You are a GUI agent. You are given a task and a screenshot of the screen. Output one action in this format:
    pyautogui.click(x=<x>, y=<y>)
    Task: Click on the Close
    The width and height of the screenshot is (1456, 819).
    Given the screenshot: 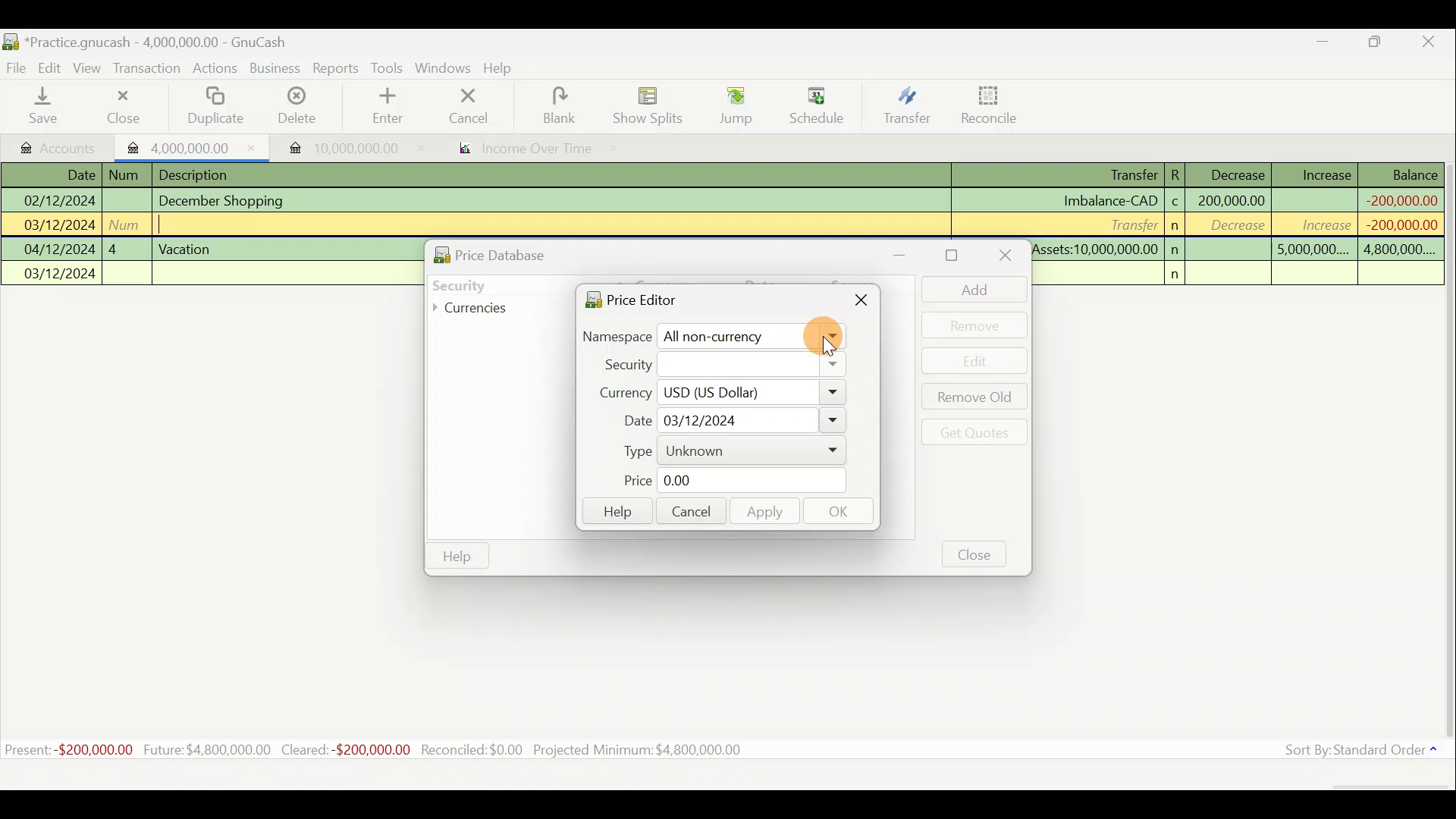 What is the action you would take?
    pyautogui.click(x=863, y=303)
    